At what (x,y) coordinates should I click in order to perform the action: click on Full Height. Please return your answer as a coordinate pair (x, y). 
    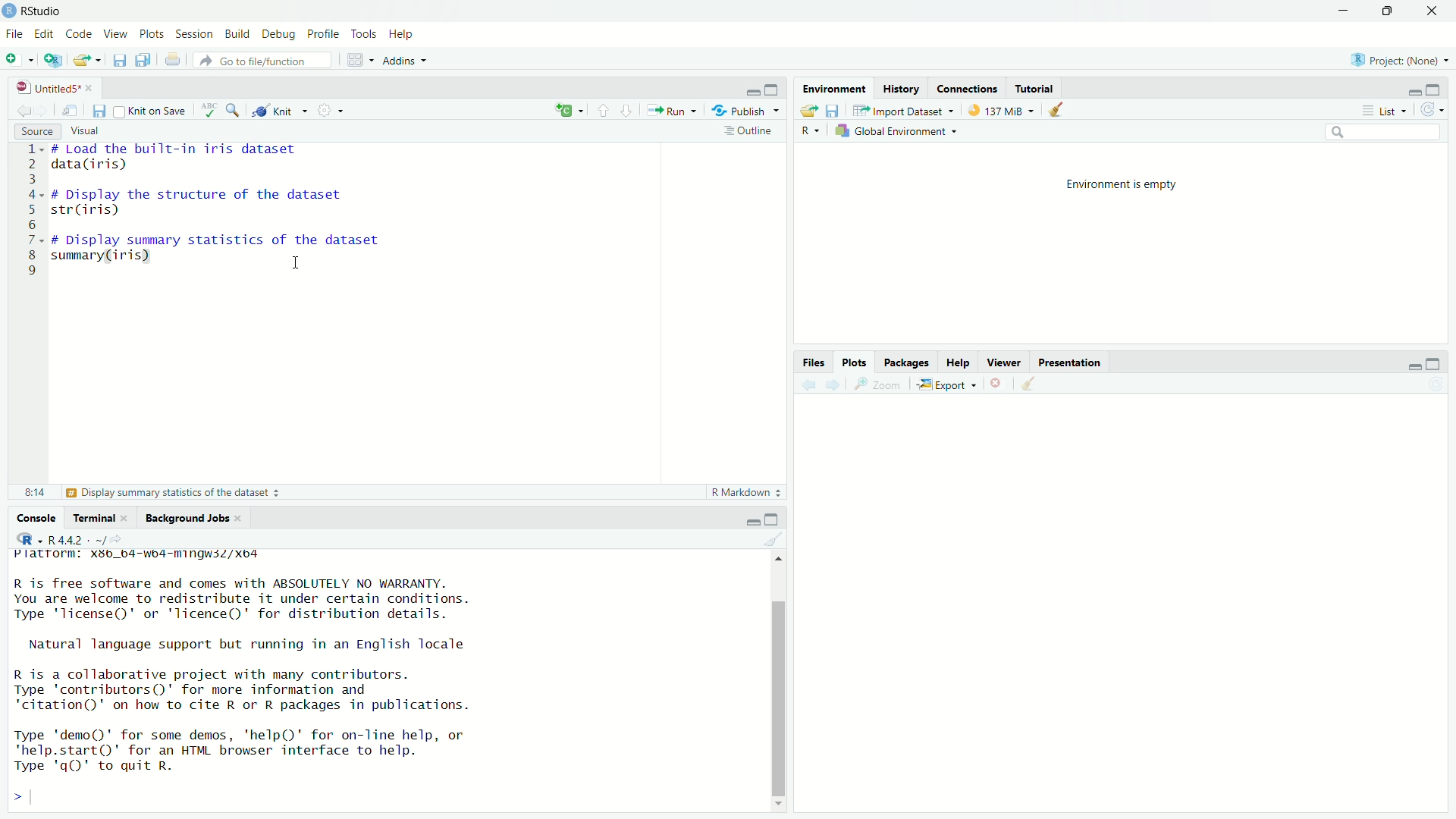
    Looking at the image, I should click on (1434, 363).